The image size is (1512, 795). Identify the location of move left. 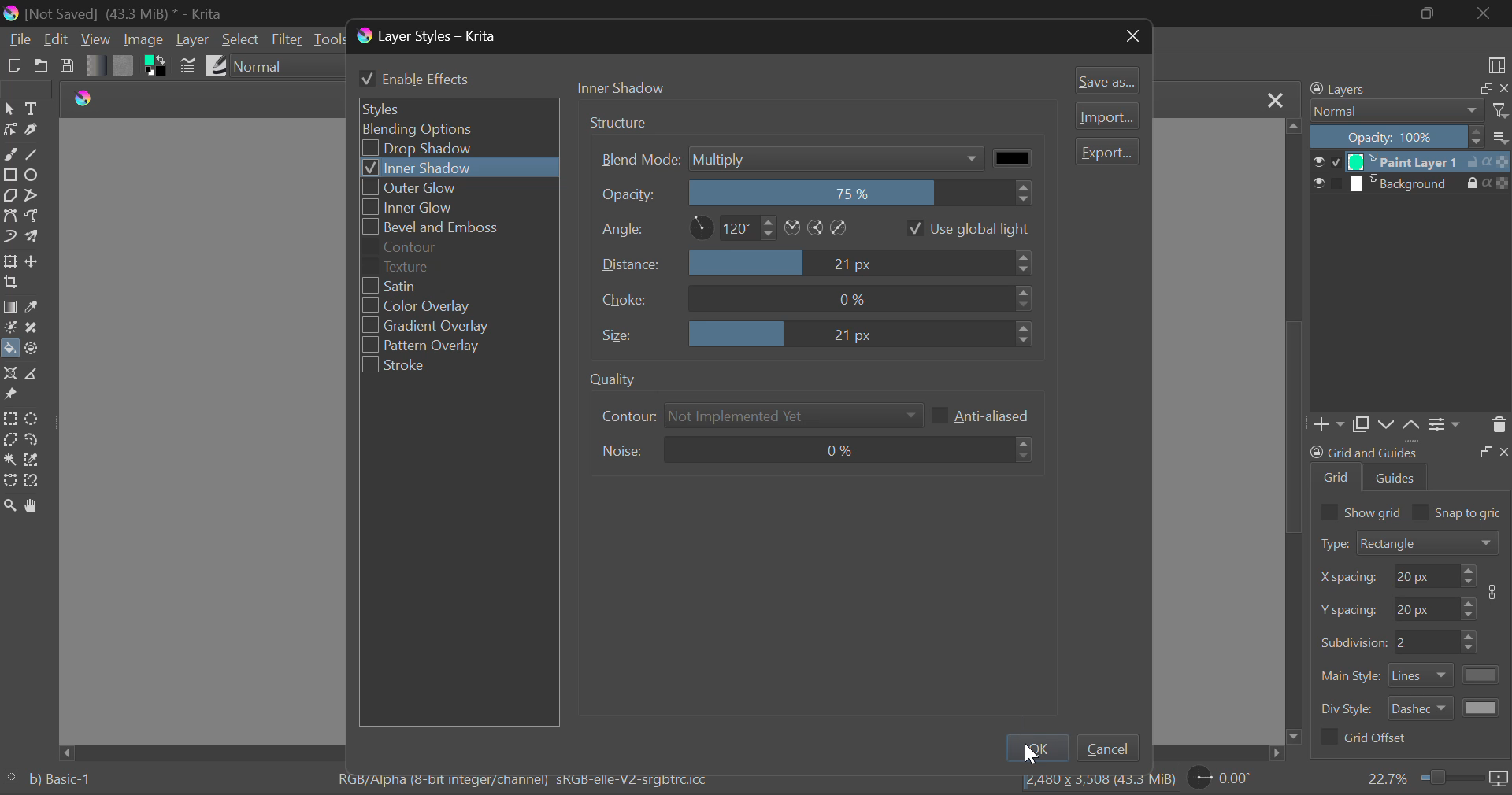
(68, 751).